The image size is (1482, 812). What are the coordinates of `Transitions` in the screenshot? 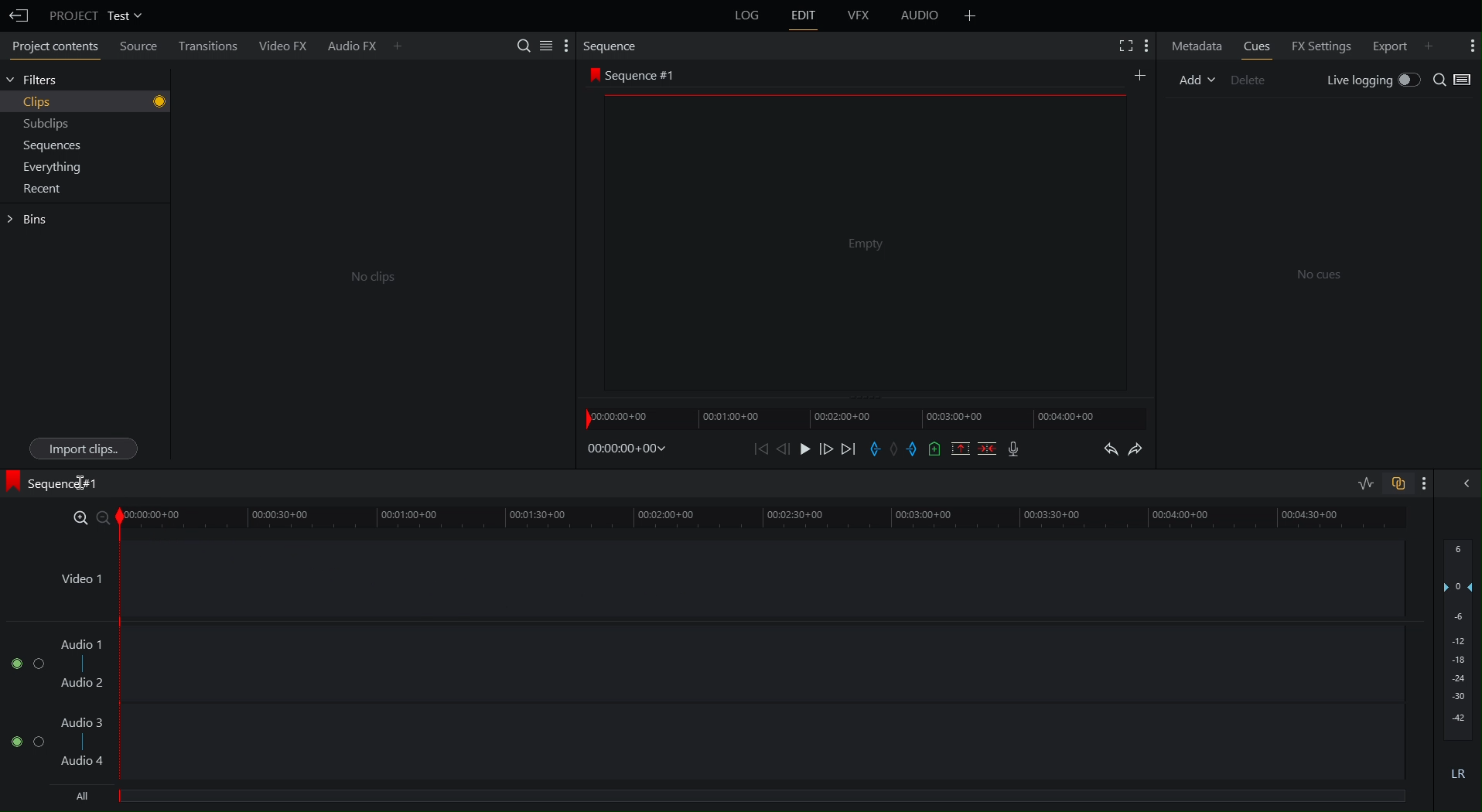 It's located at (215, 46).